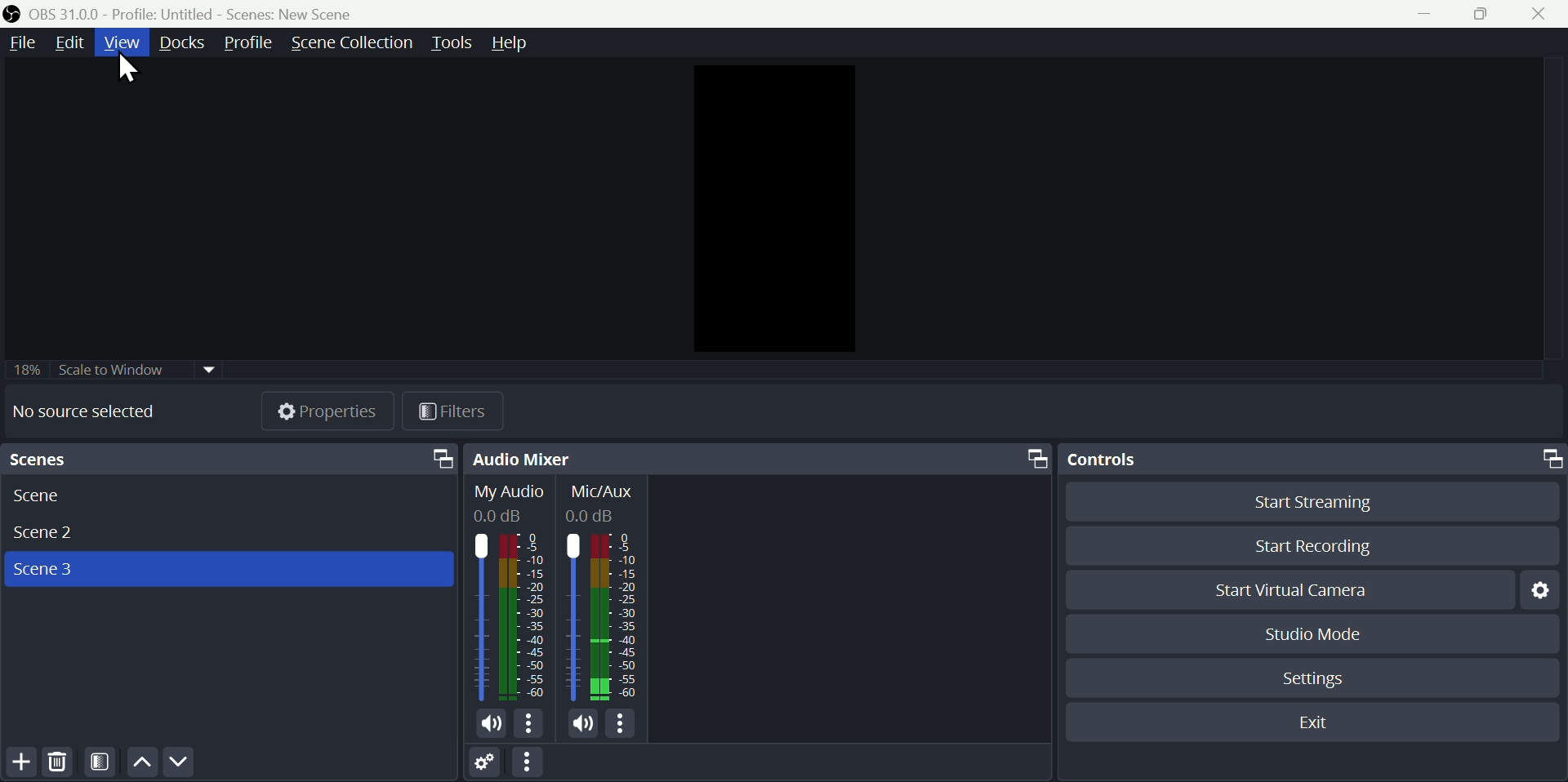  I want to click on Filter, so click(458, 410).